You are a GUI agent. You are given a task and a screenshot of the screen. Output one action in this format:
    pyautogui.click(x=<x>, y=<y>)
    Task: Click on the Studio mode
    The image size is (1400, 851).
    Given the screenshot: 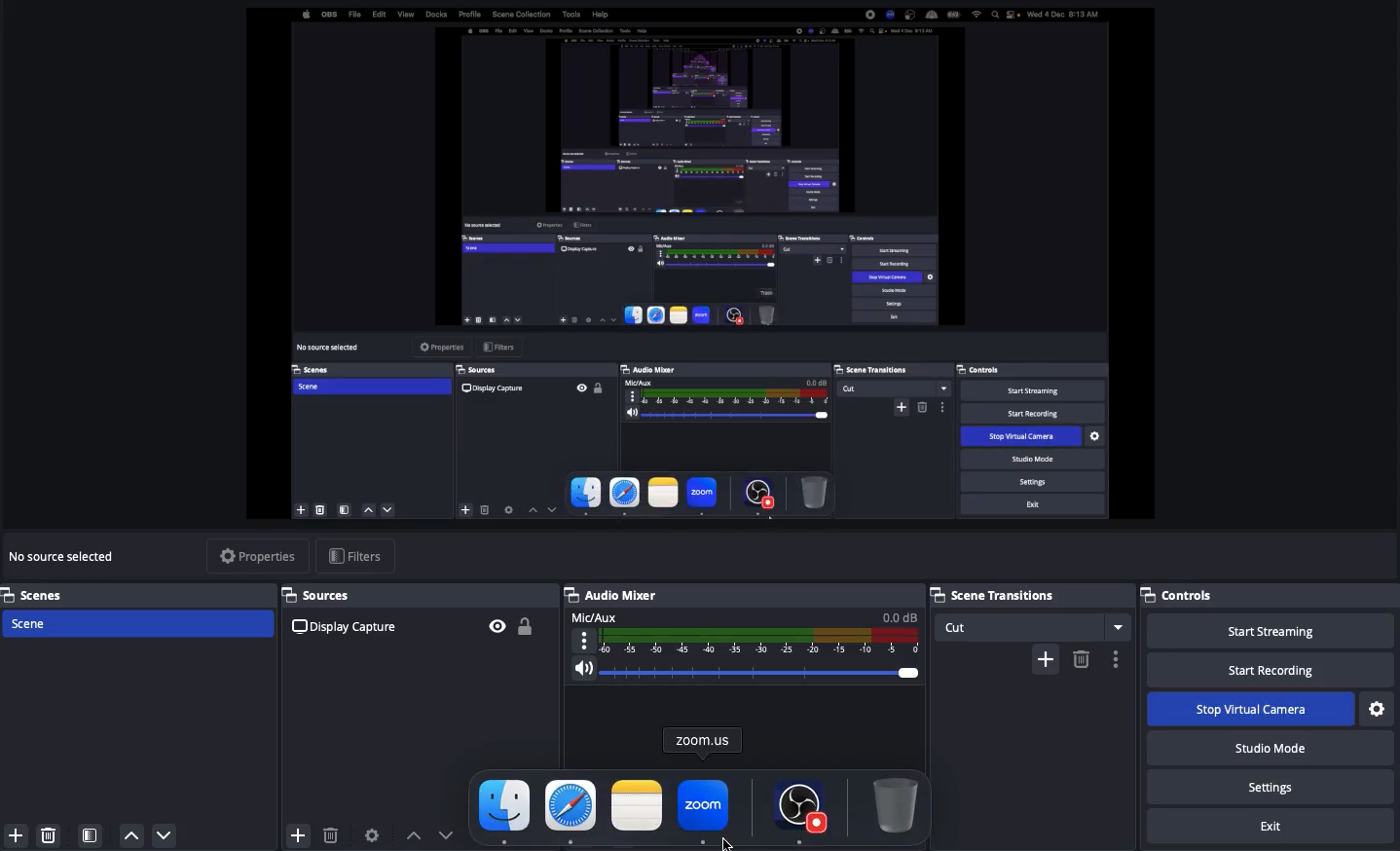 What is the action you would take?
    pyautogui.click(x=1268, y=746)
    